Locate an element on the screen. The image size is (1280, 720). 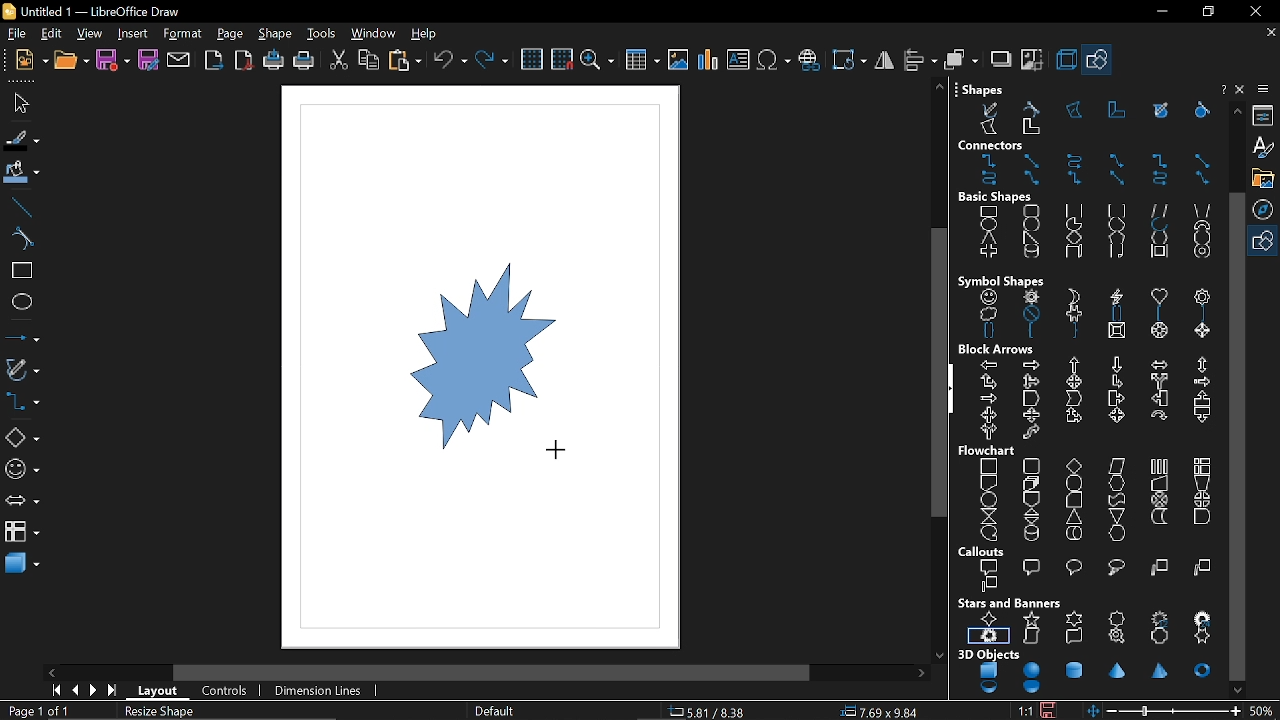
align is located at coordinates (918, 60).